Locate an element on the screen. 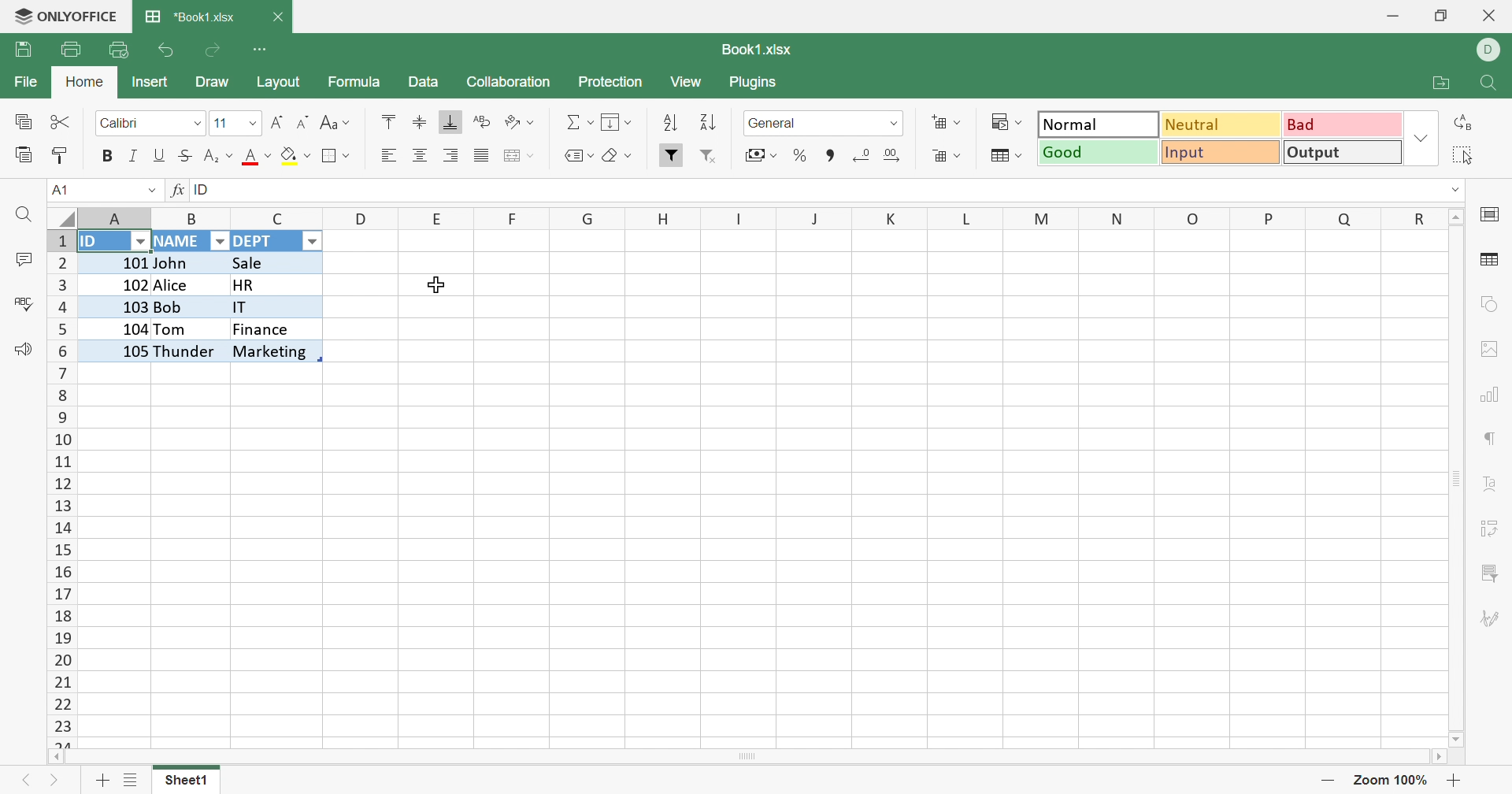 The image size is (1512, 794). Merge and center is located at coordinates (516, 154).